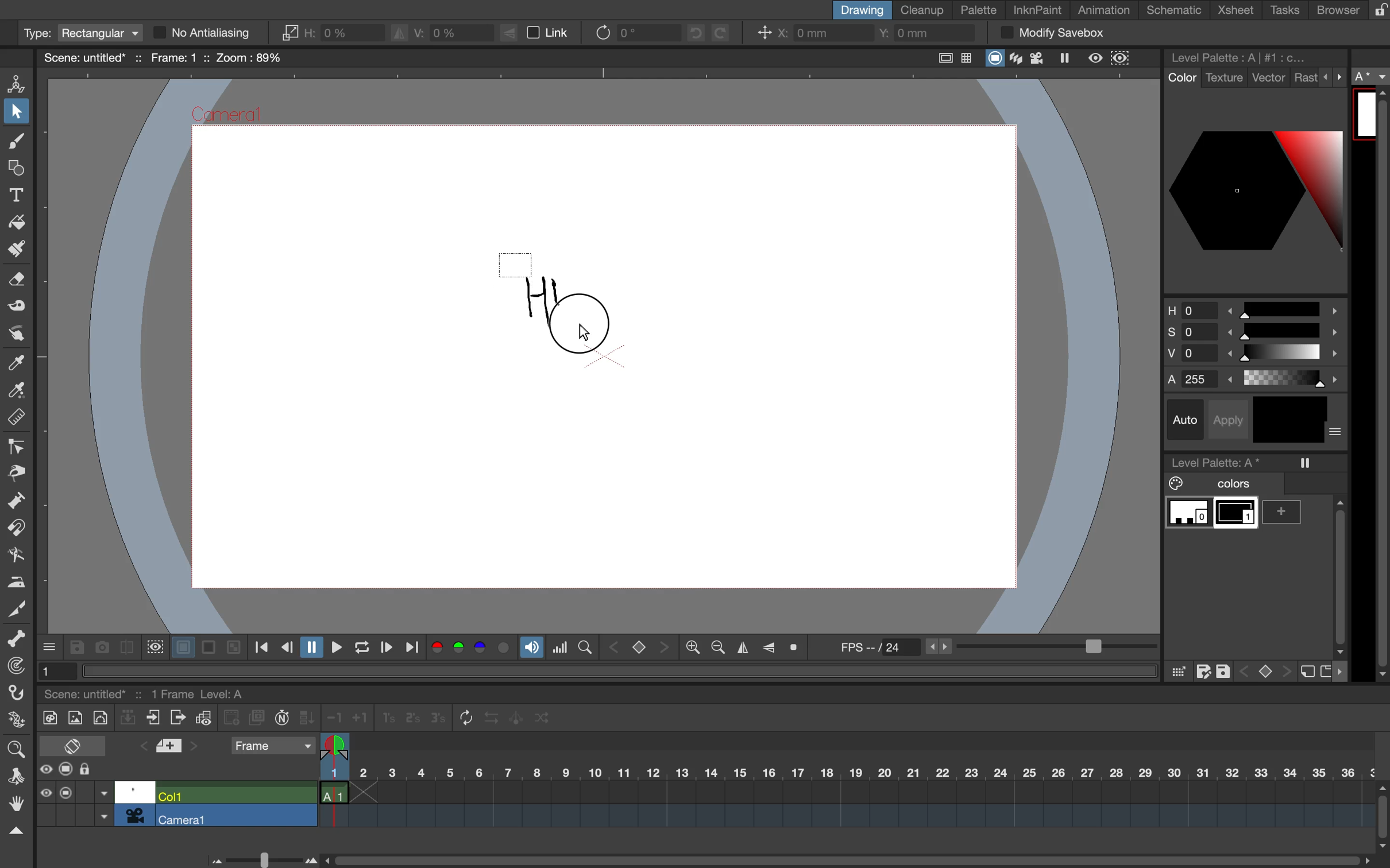 This screenshot has width=1390, height=868. What do you see at coordinates (441, 32) in the screenshot?
I see `vertical scaling` at bounding box center [441, 32].